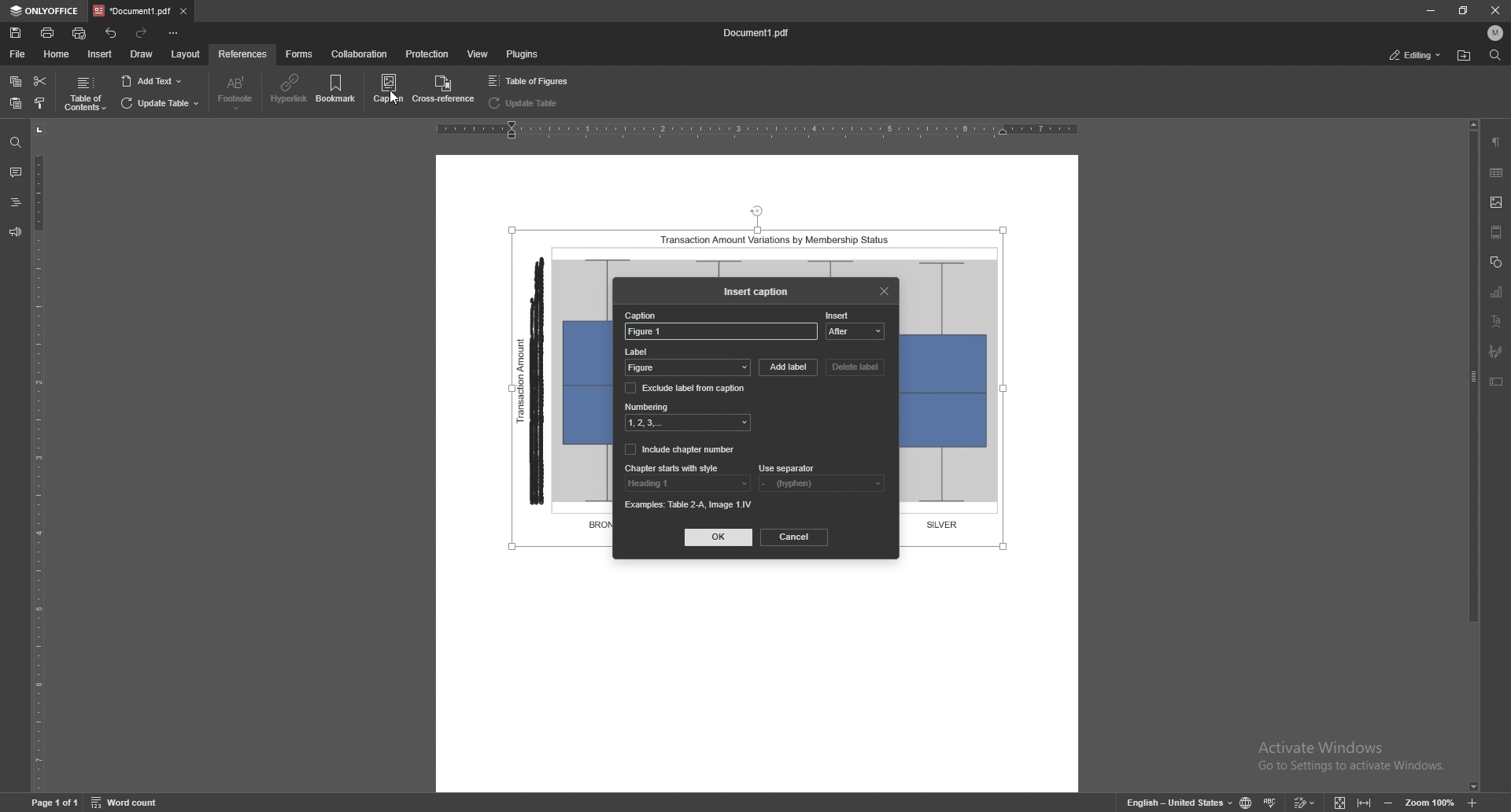 The height and width of the screenshot is (812, 1511). Describe the element at coordinates (1270, 802) in the screenshot. I see `spell check` at that location.